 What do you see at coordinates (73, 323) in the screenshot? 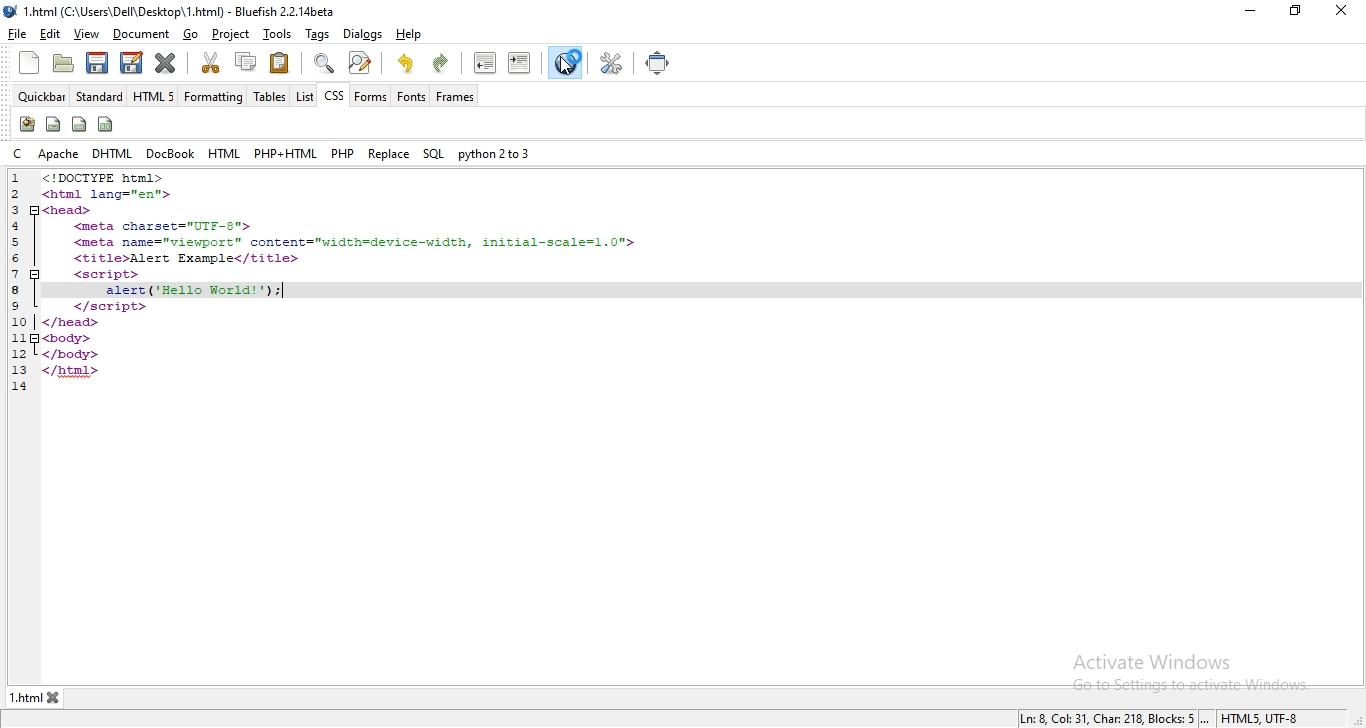
I see `</head>` at bounding box center [73, 323].